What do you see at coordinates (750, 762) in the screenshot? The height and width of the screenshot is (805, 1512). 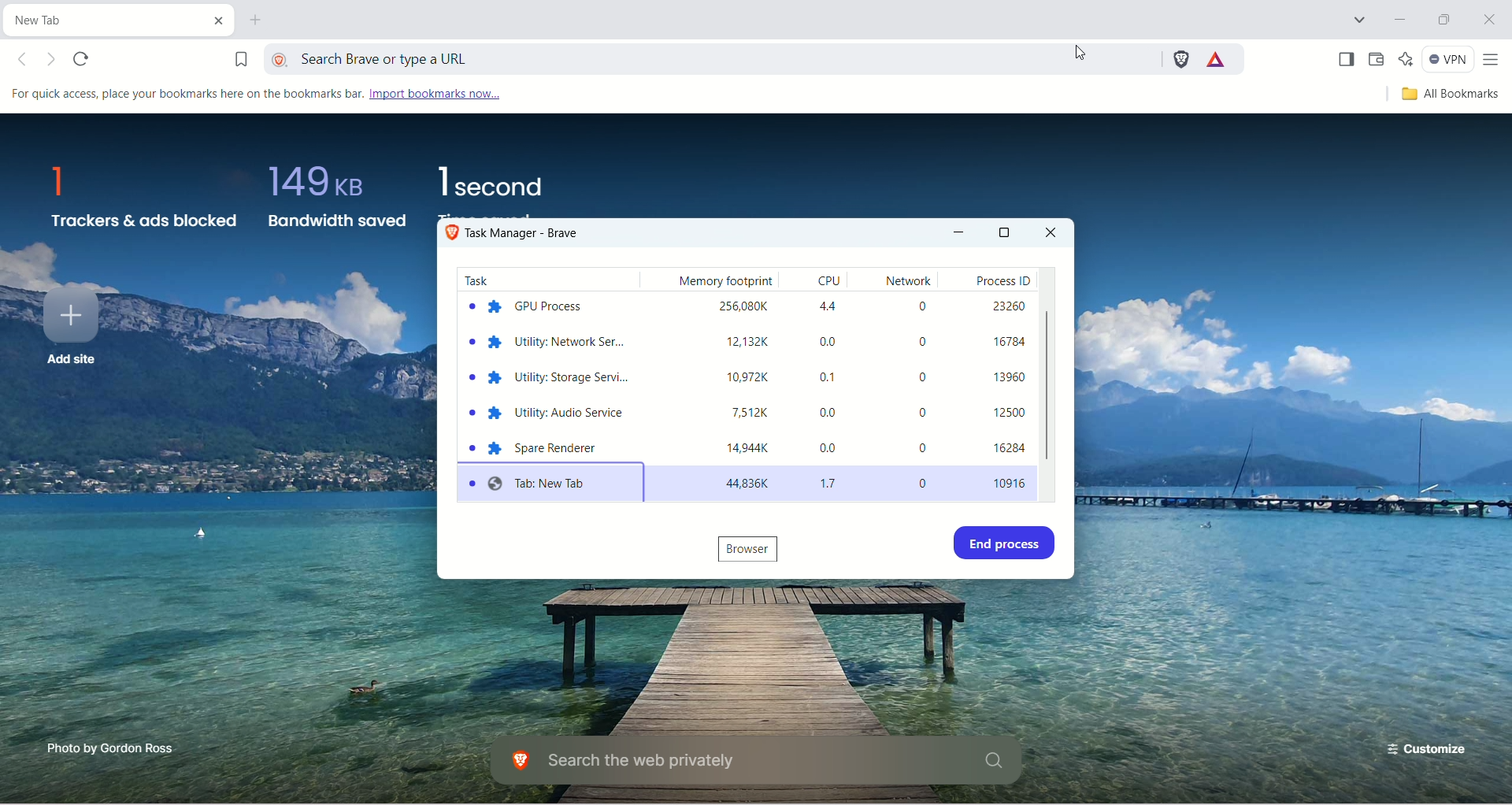 I see `Search the web privately ` at bounding box center [750, 762].